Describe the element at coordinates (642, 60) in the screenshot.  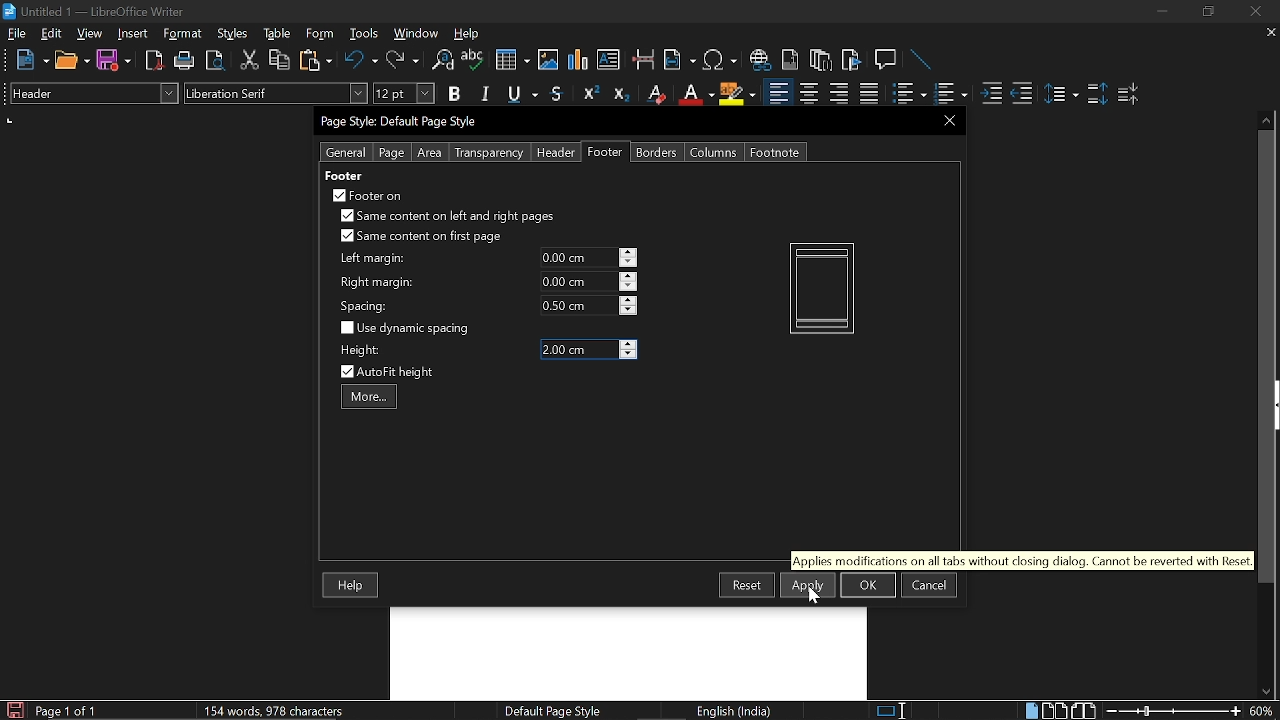
I see `Insert page break` at that location.